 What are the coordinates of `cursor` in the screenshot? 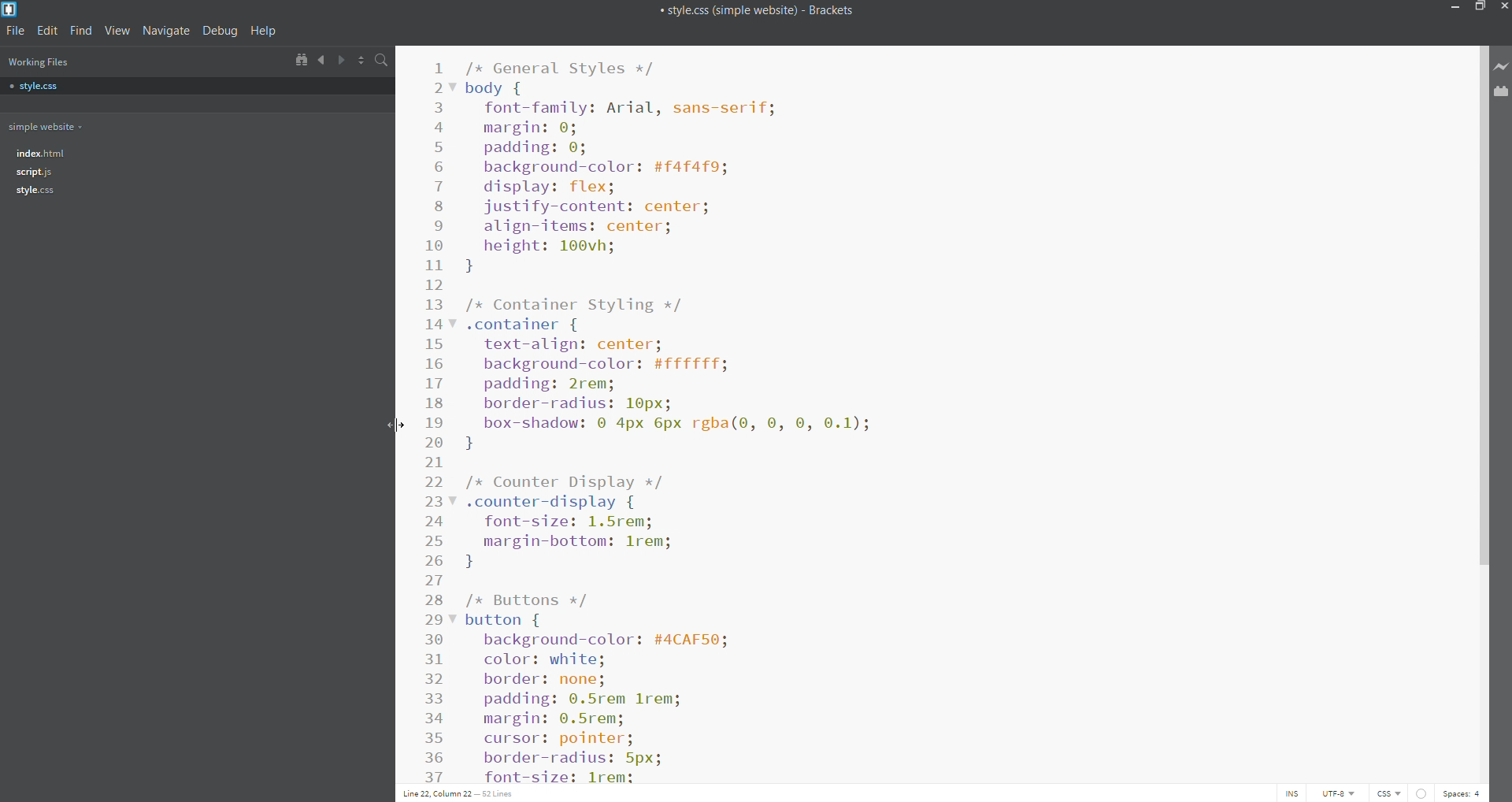 It's located at (392, 427).